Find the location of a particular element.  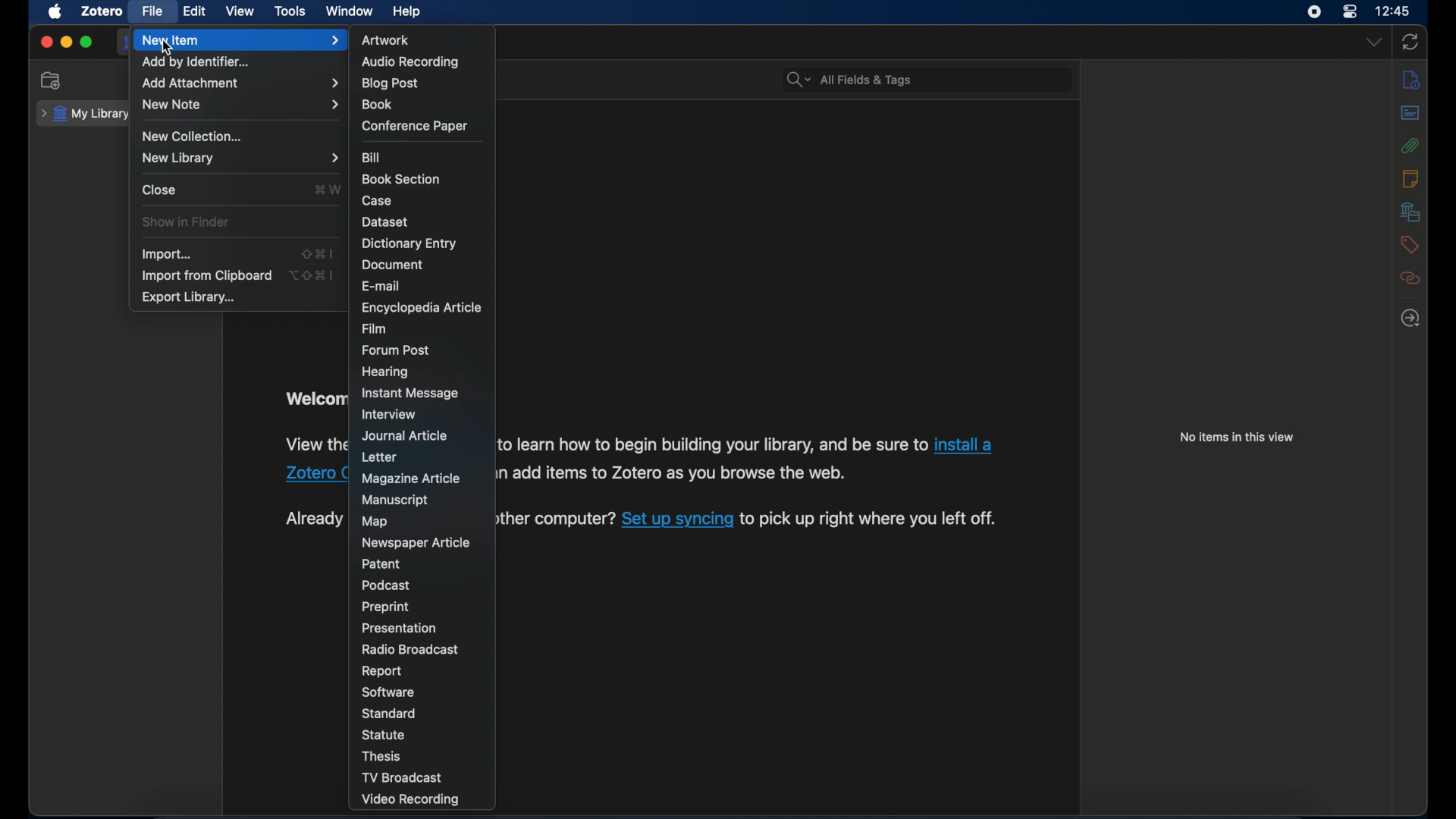

show in finder is located at coordinates (187, 221).